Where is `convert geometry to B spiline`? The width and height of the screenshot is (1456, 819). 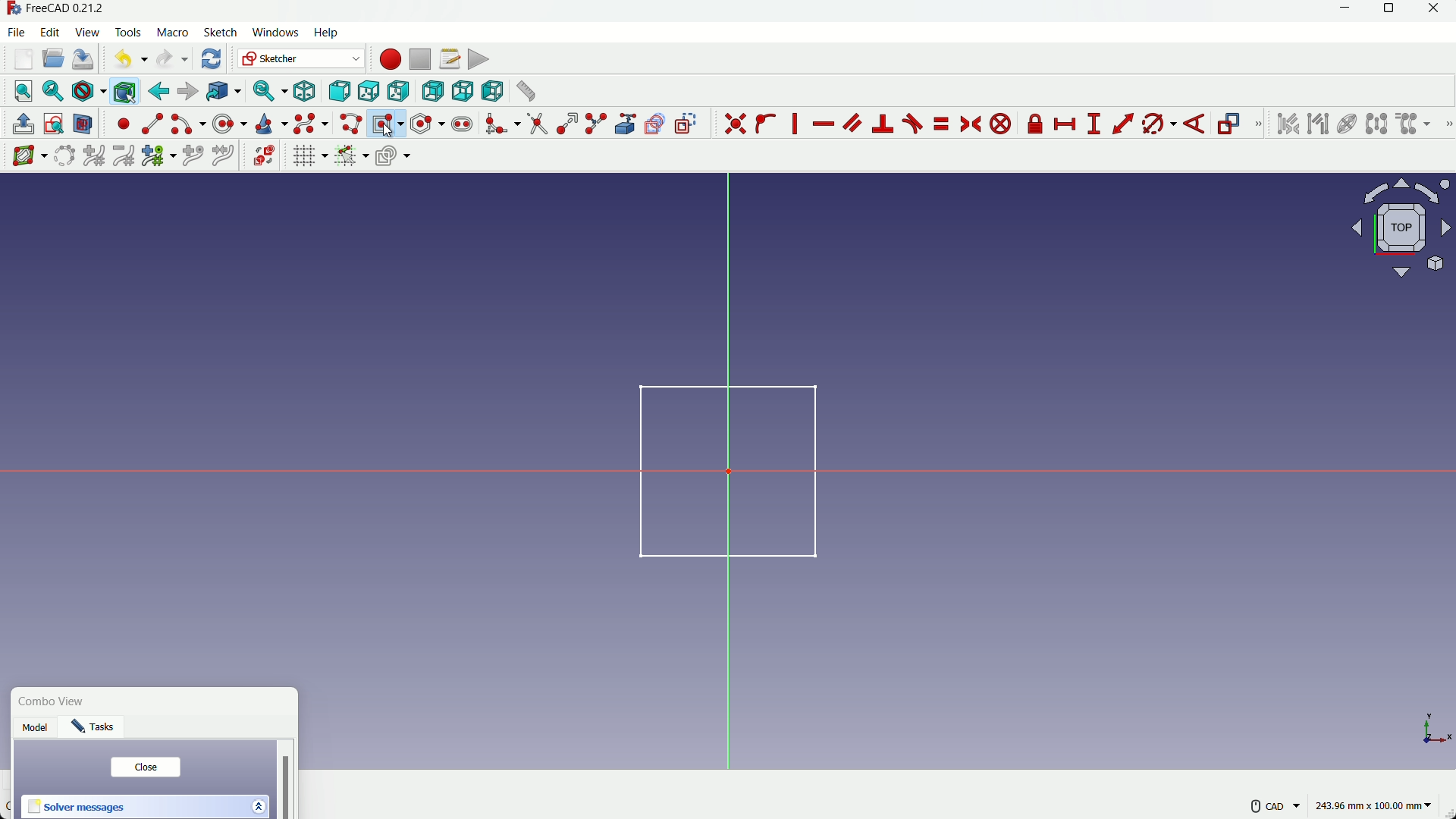
convert geometry to B spiline is located at coordinates (61, 157).